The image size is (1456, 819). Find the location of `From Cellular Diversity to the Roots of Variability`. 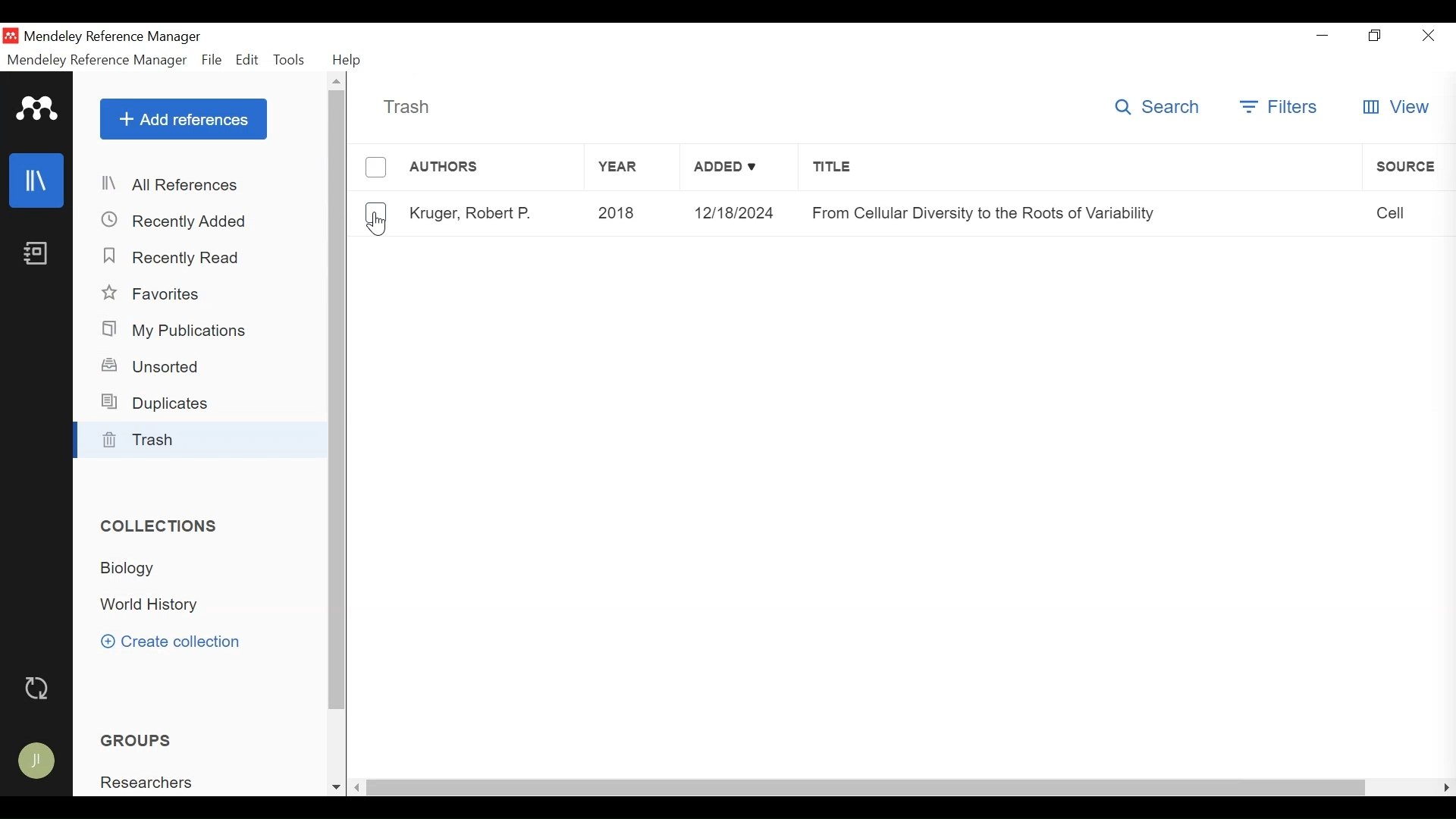

From Cellular Diversity to the Roots of Variability is located at coordinates (1082, 212).